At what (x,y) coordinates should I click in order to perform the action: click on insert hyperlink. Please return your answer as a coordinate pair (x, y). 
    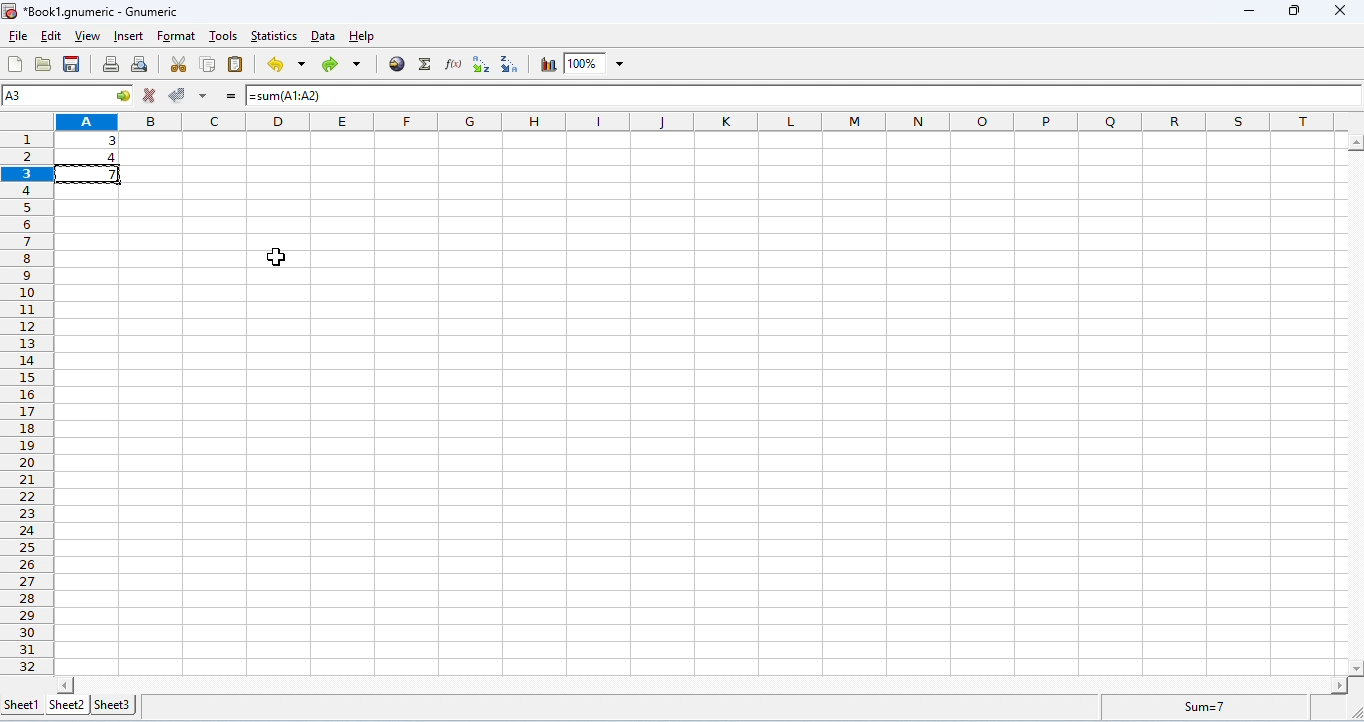
    Looking at the image, I should click on (396, 65).